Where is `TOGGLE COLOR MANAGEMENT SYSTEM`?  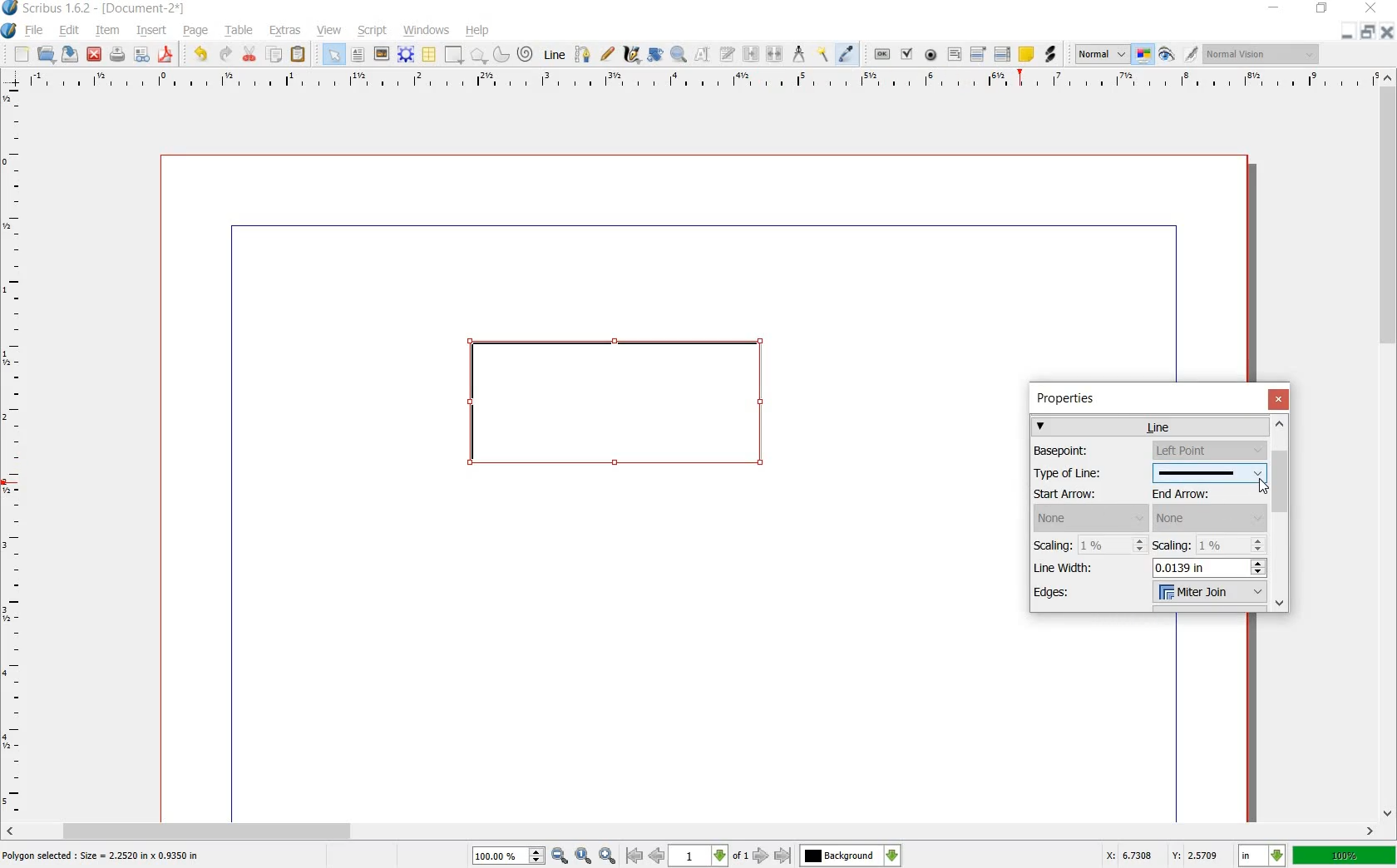
TOGGLE COLOR MANAGEMENT SYSTEM is located at coordinates (1145, 56).